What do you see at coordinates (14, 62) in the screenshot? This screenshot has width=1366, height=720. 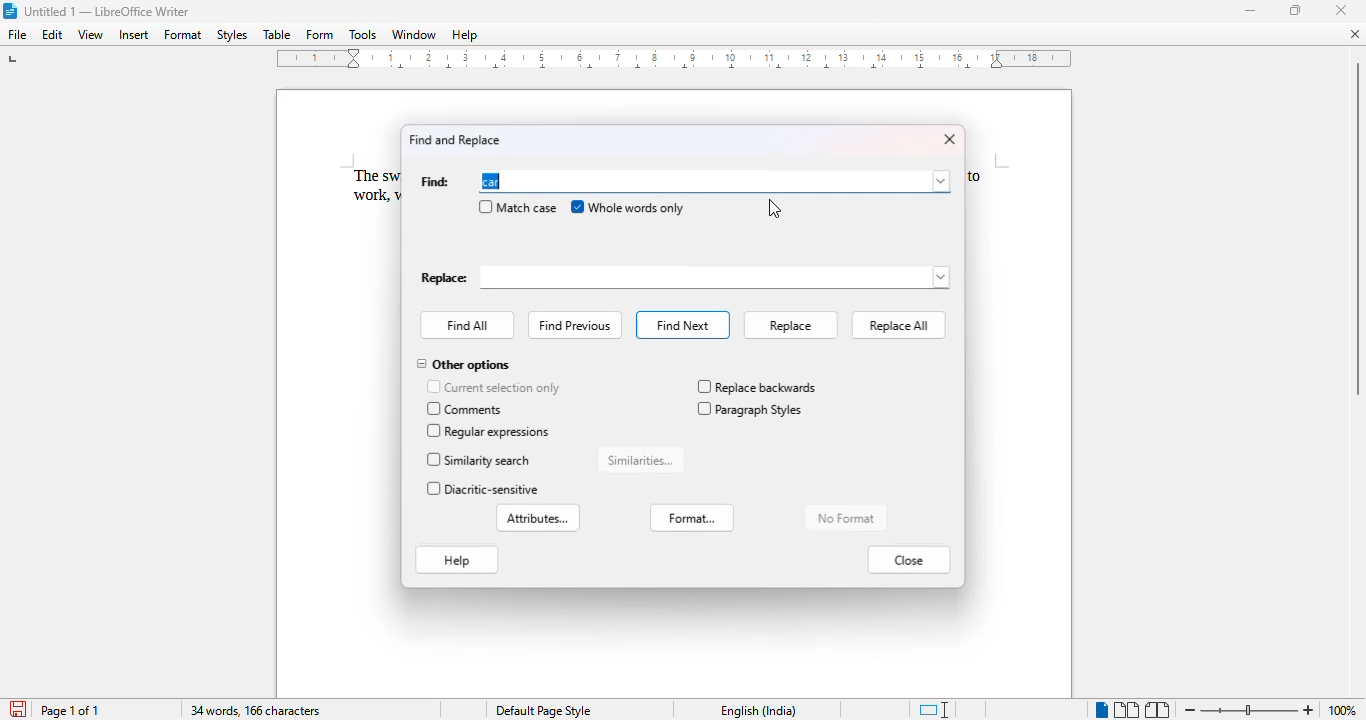 I see `tap stop` at bounding box center [14, 62].